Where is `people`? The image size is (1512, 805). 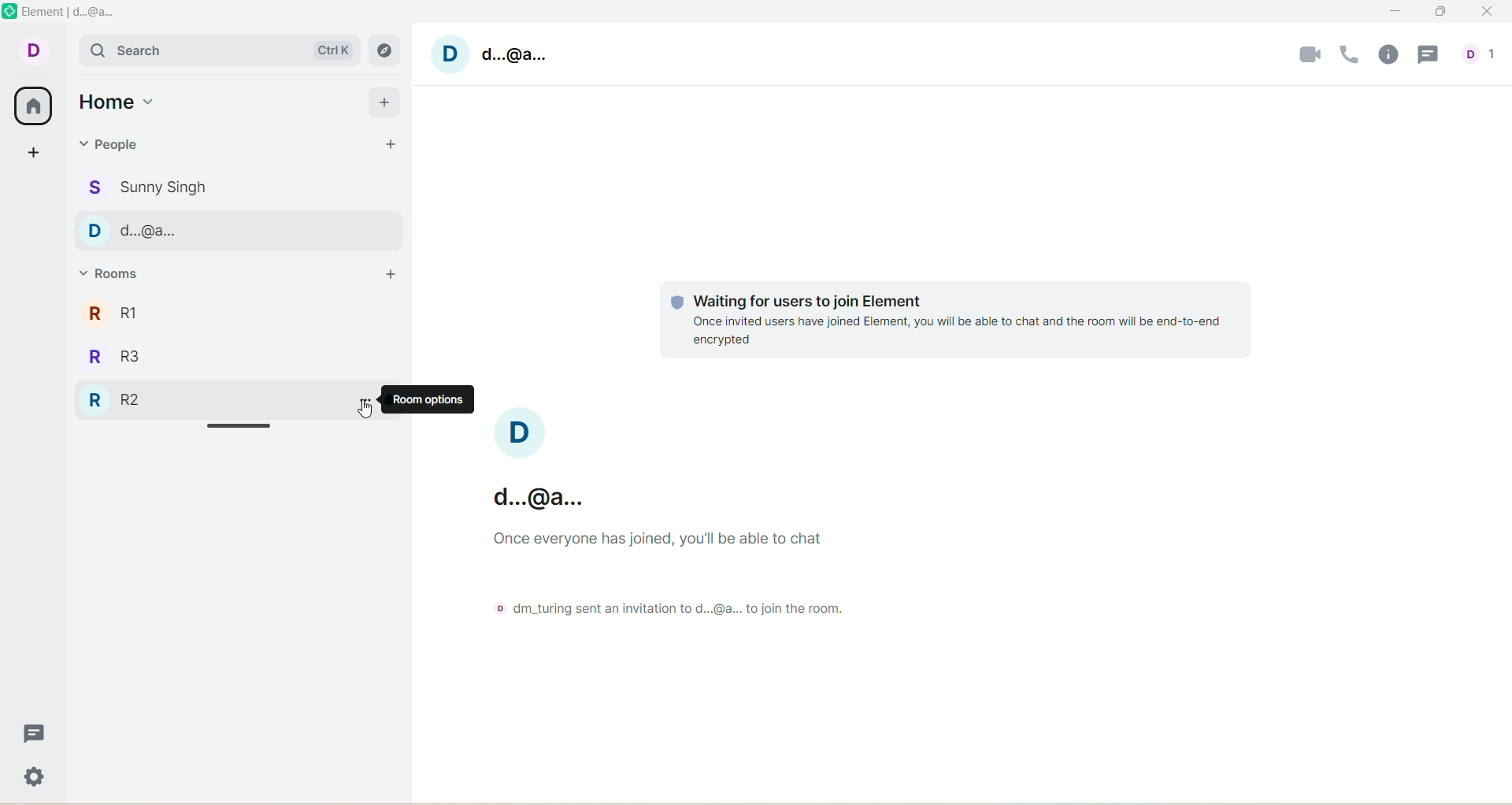
people is located at coordinates (110, 144).